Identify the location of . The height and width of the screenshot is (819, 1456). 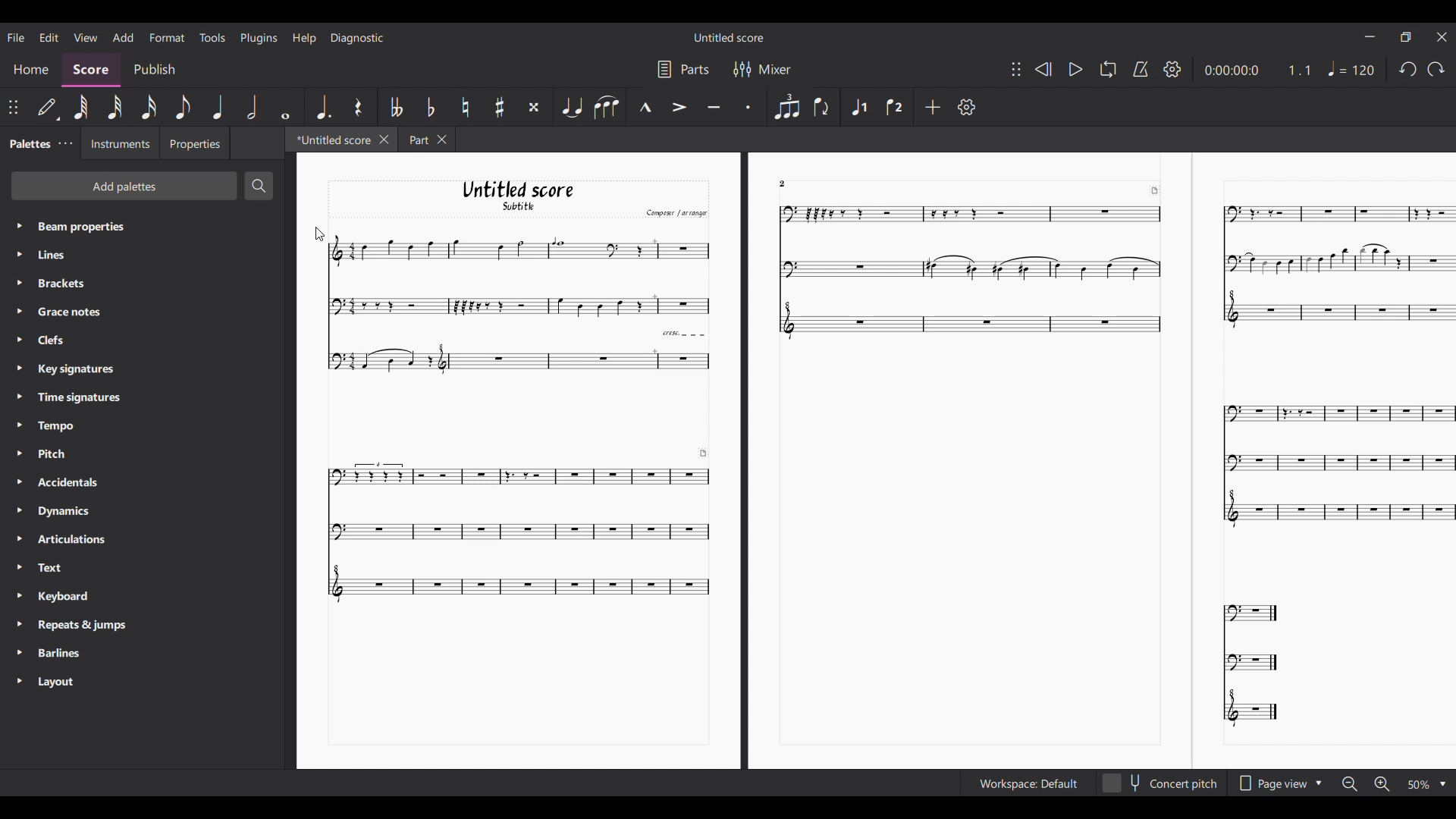
(17, 540).